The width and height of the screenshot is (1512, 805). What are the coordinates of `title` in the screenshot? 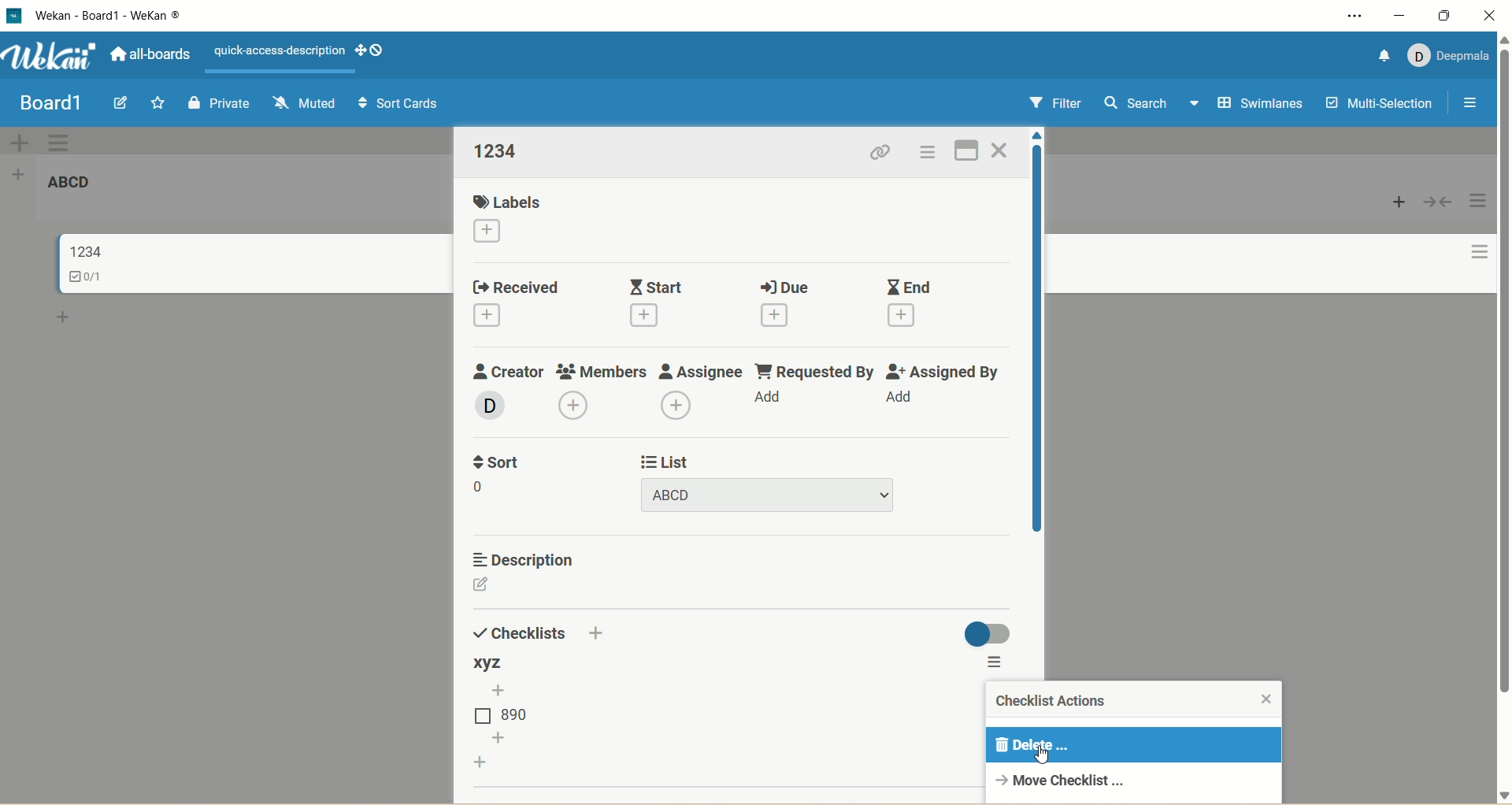 It's located at (124, 15).